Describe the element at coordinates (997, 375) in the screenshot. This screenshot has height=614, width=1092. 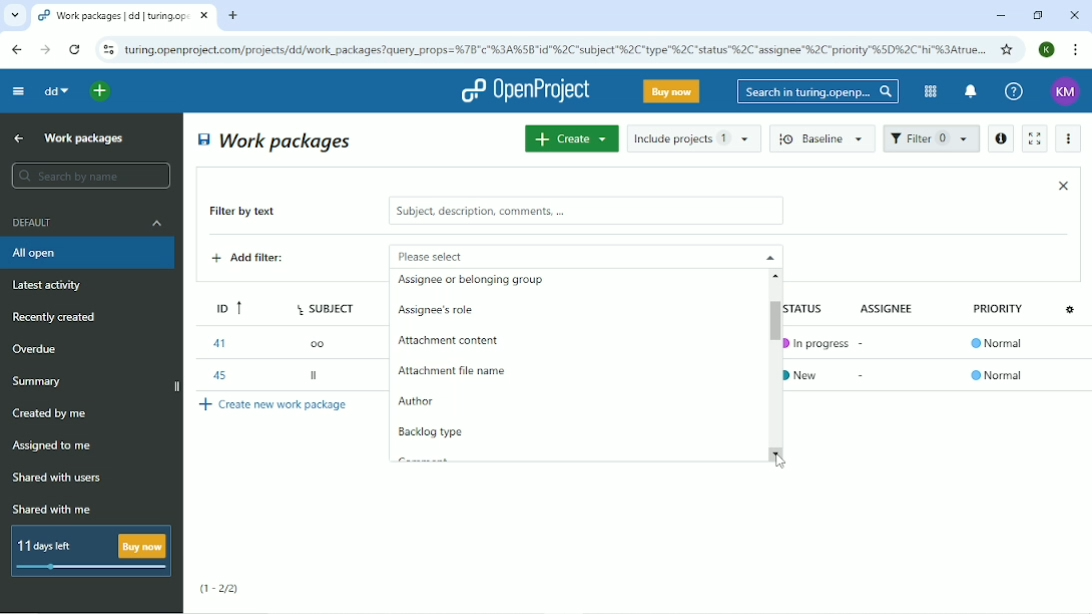
I see `Normal` at that location.